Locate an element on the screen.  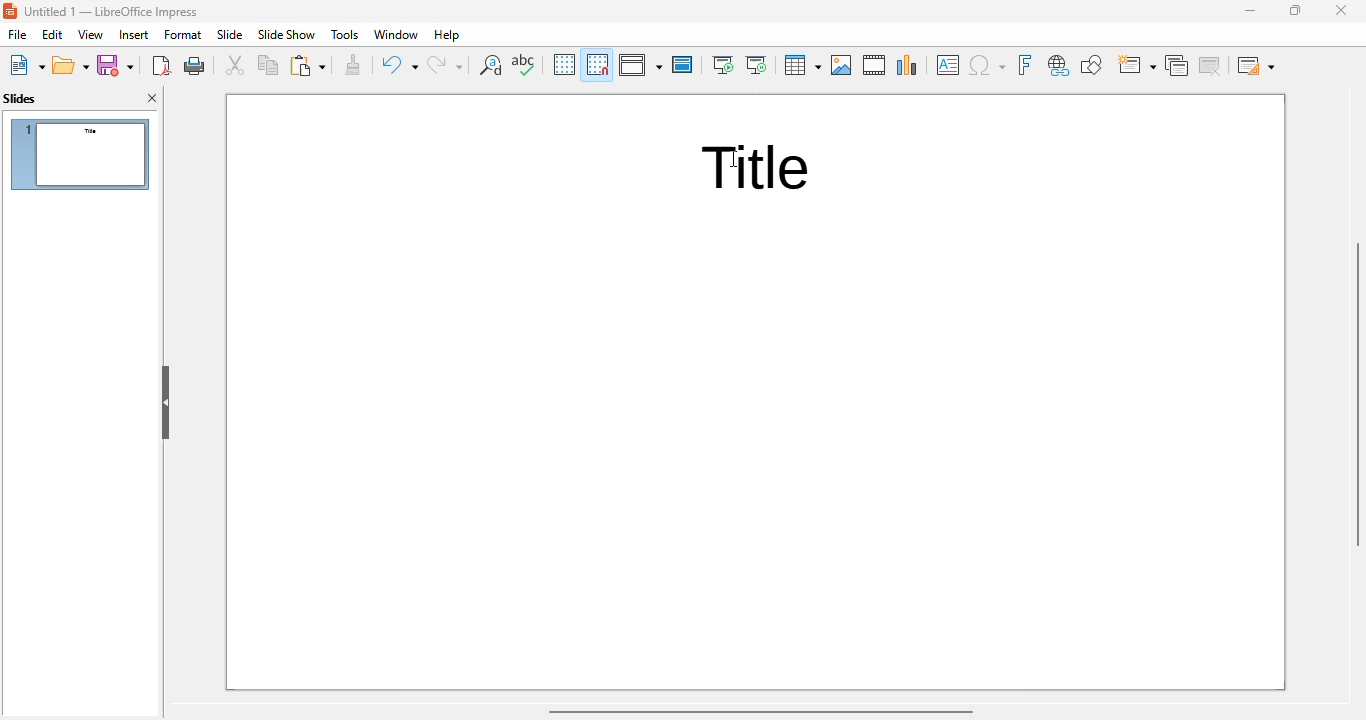
open is located at coordinates (70, 65).